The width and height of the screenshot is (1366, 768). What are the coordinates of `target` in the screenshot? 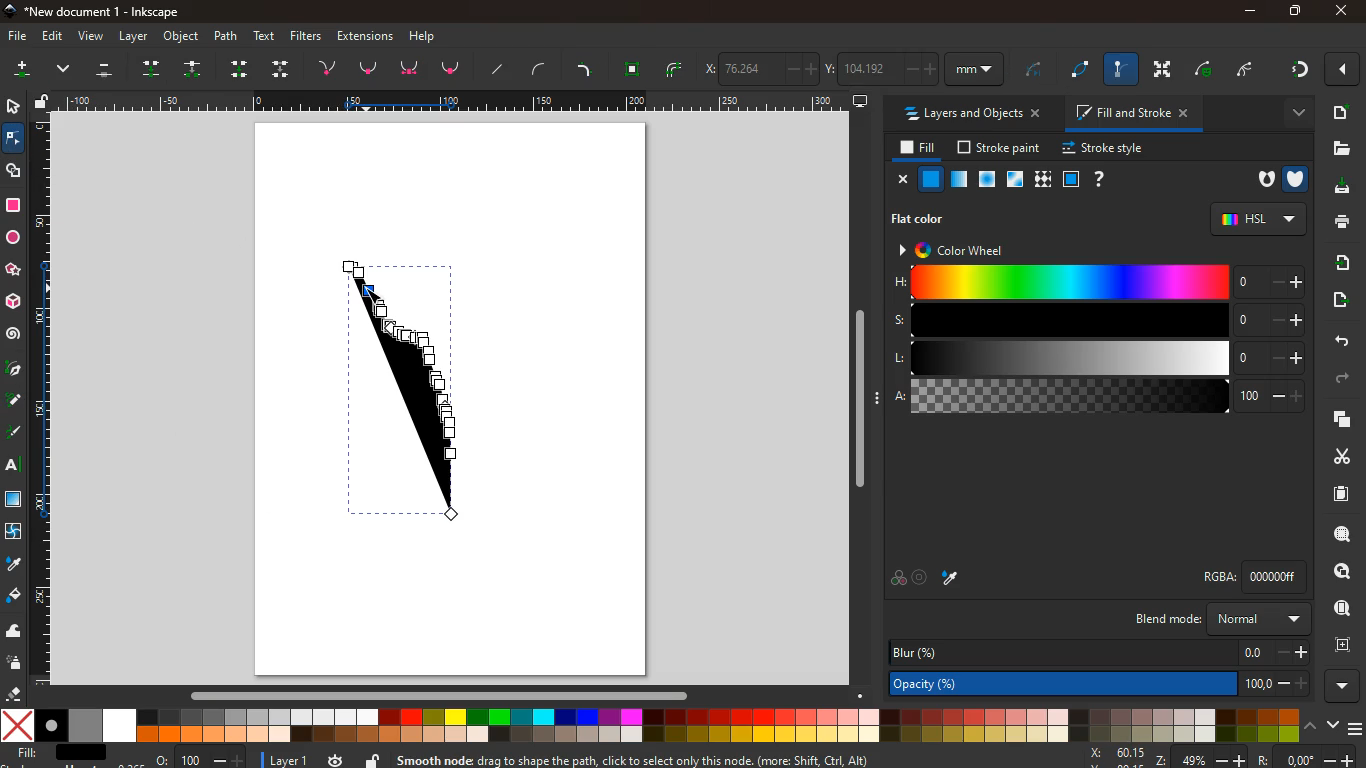 It's located at (922, 578).